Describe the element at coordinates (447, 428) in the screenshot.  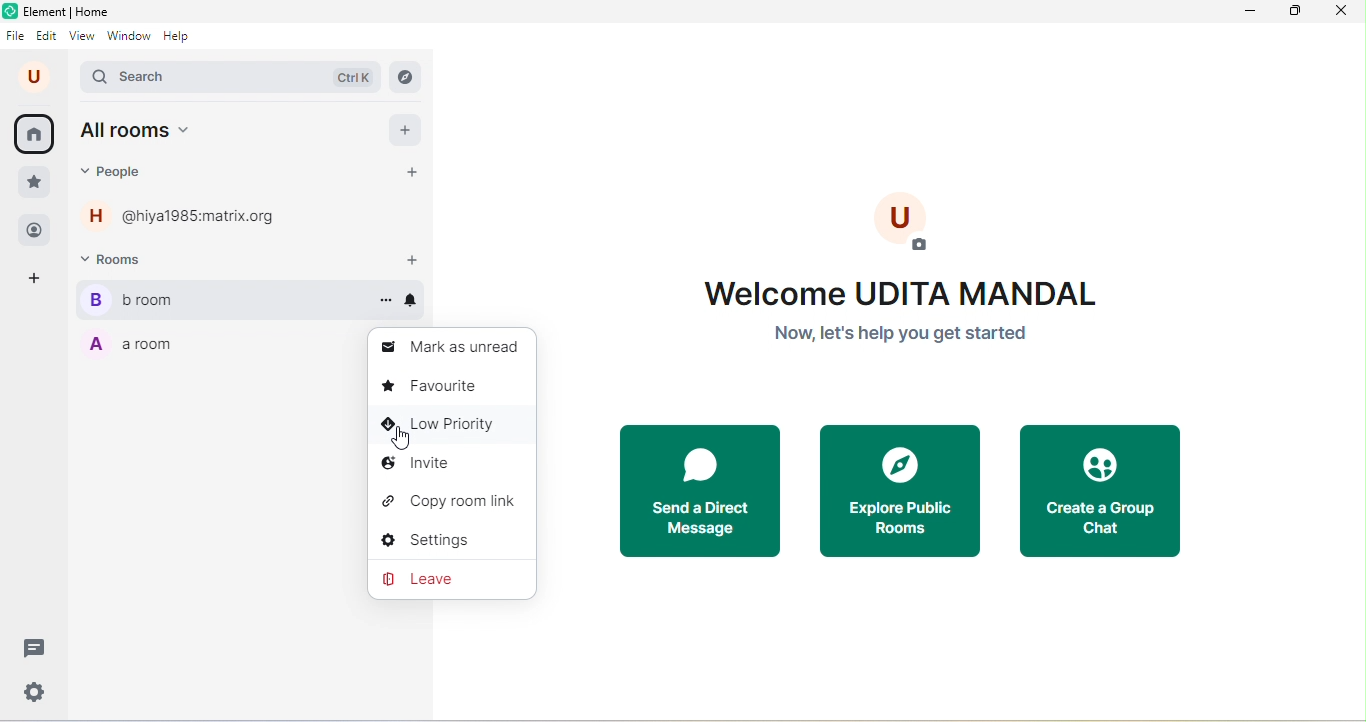
I see `low priority` at that location.